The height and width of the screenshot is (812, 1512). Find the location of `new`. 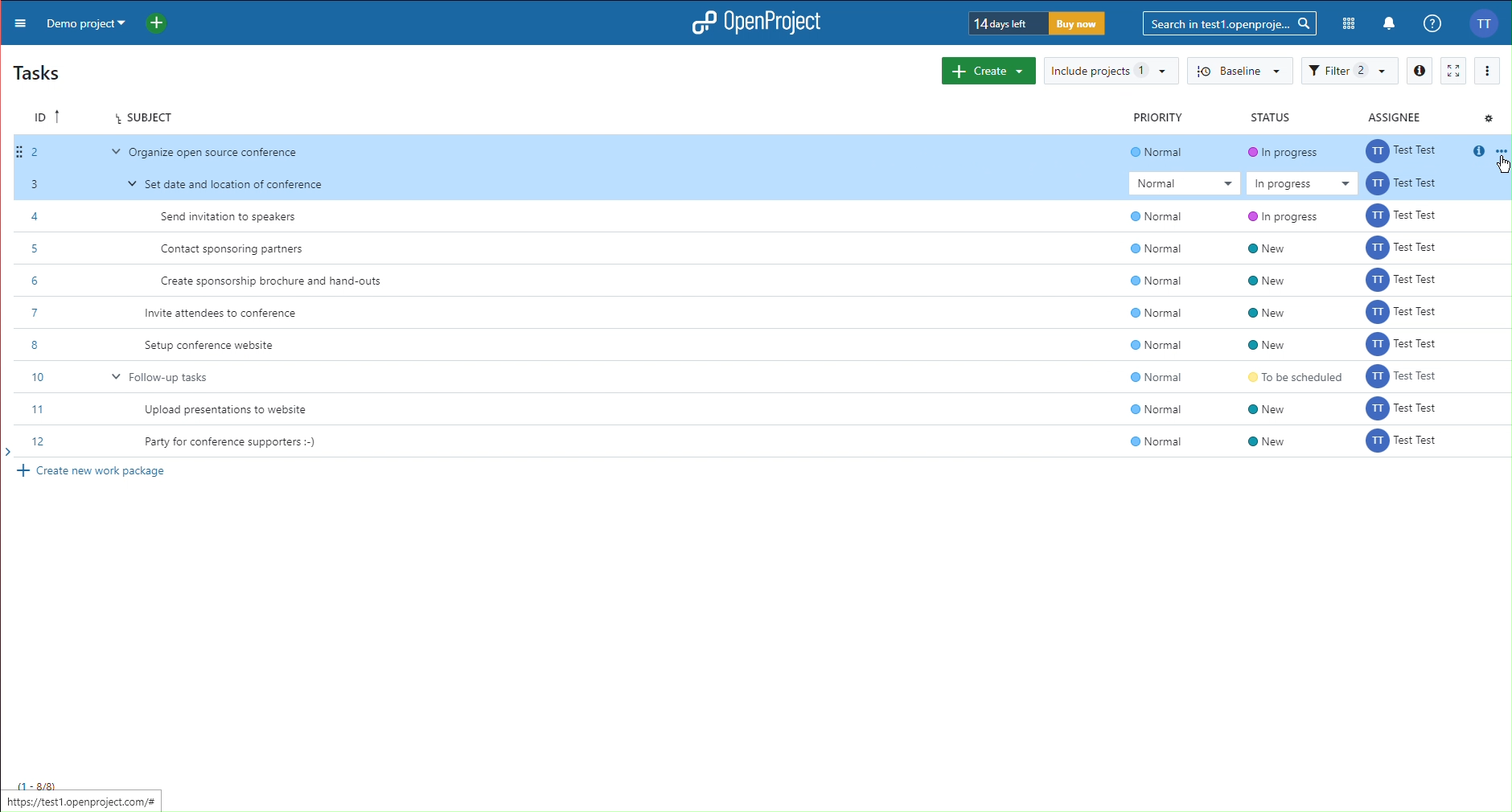

new is located at coordinates (1276, 298).